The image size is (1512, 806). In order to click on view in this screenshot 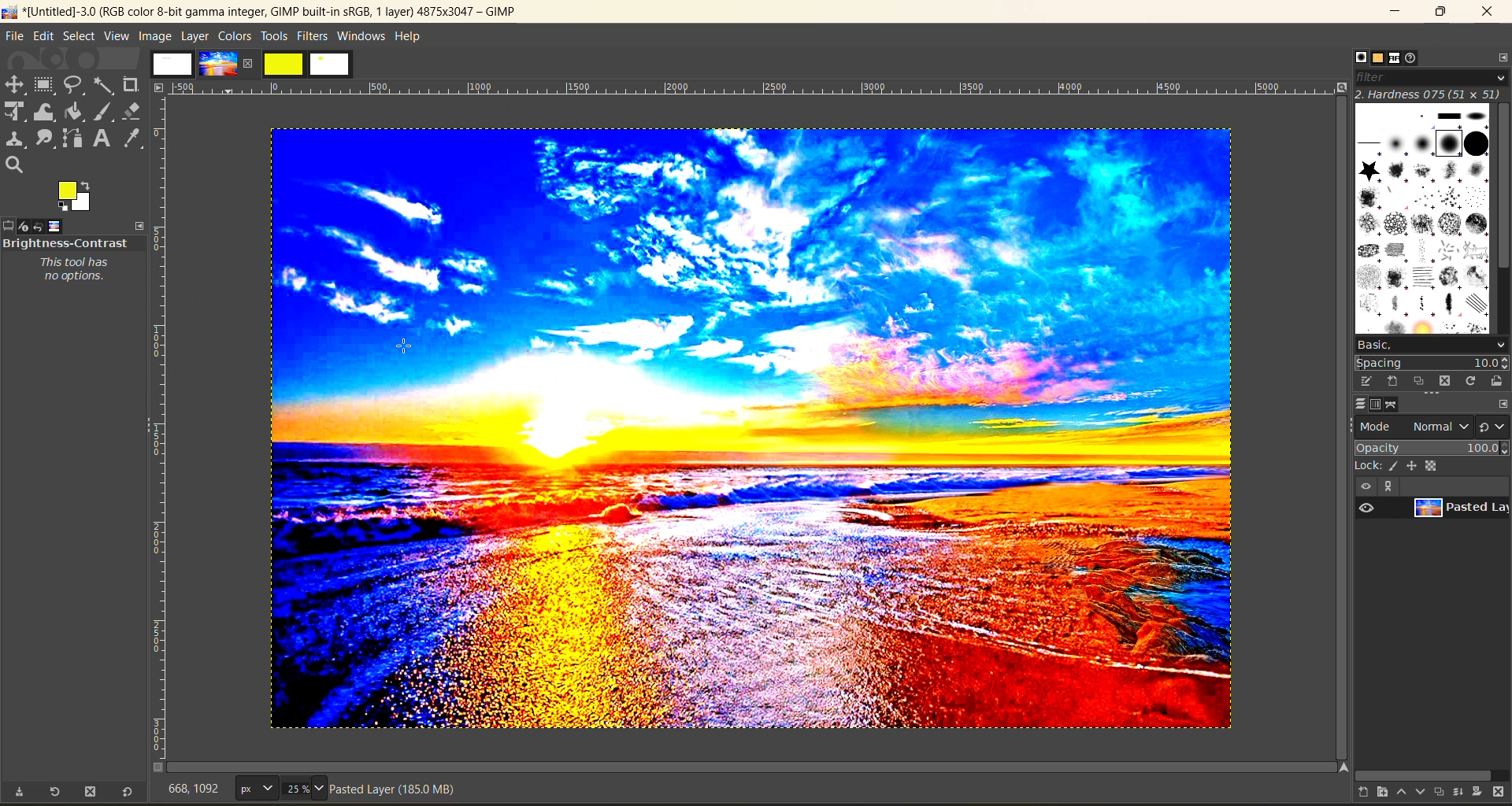, I will do `click(118, 37)`.